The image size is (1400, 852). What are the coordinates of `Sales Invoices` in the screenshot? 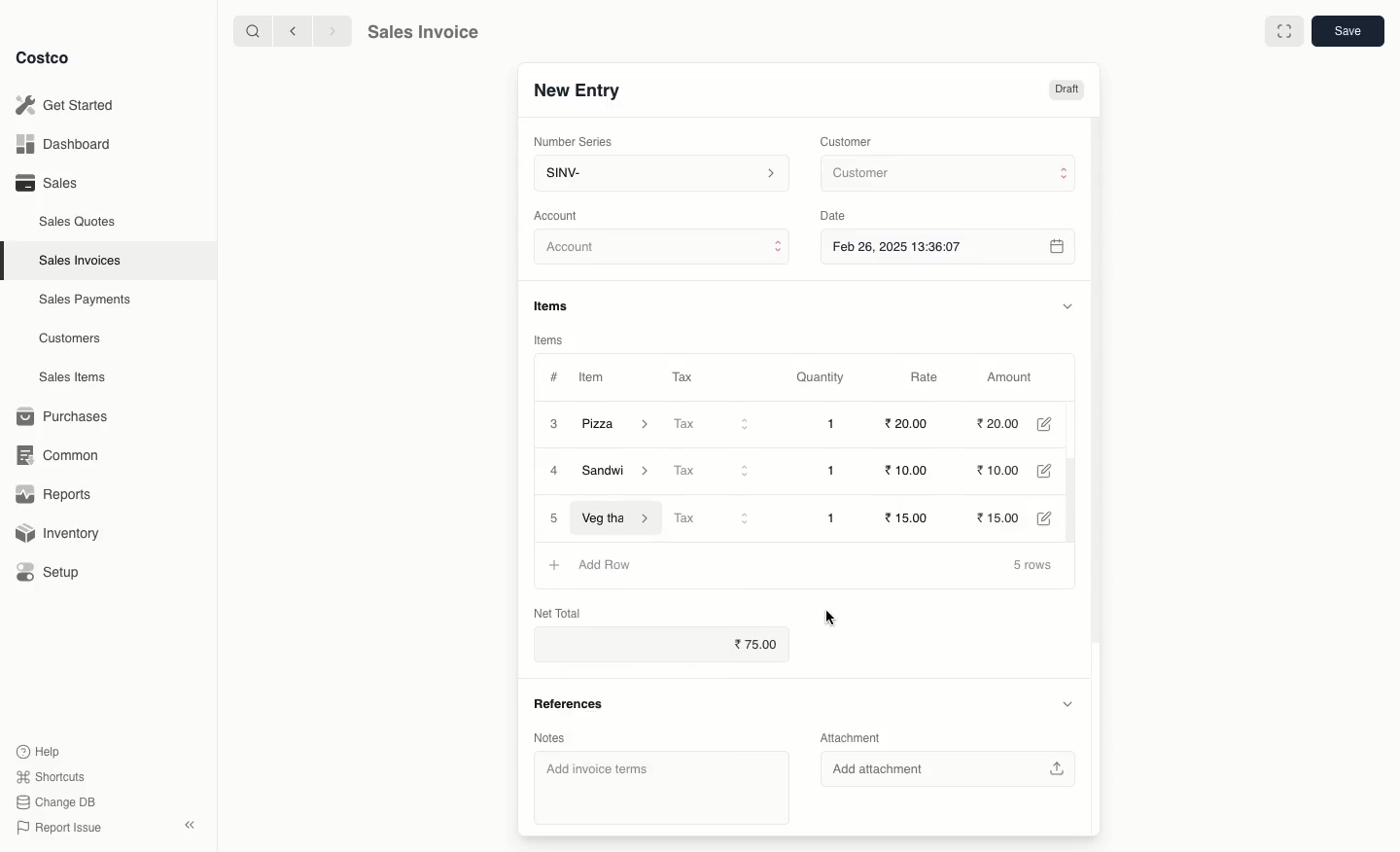 It's located at (81, 261).